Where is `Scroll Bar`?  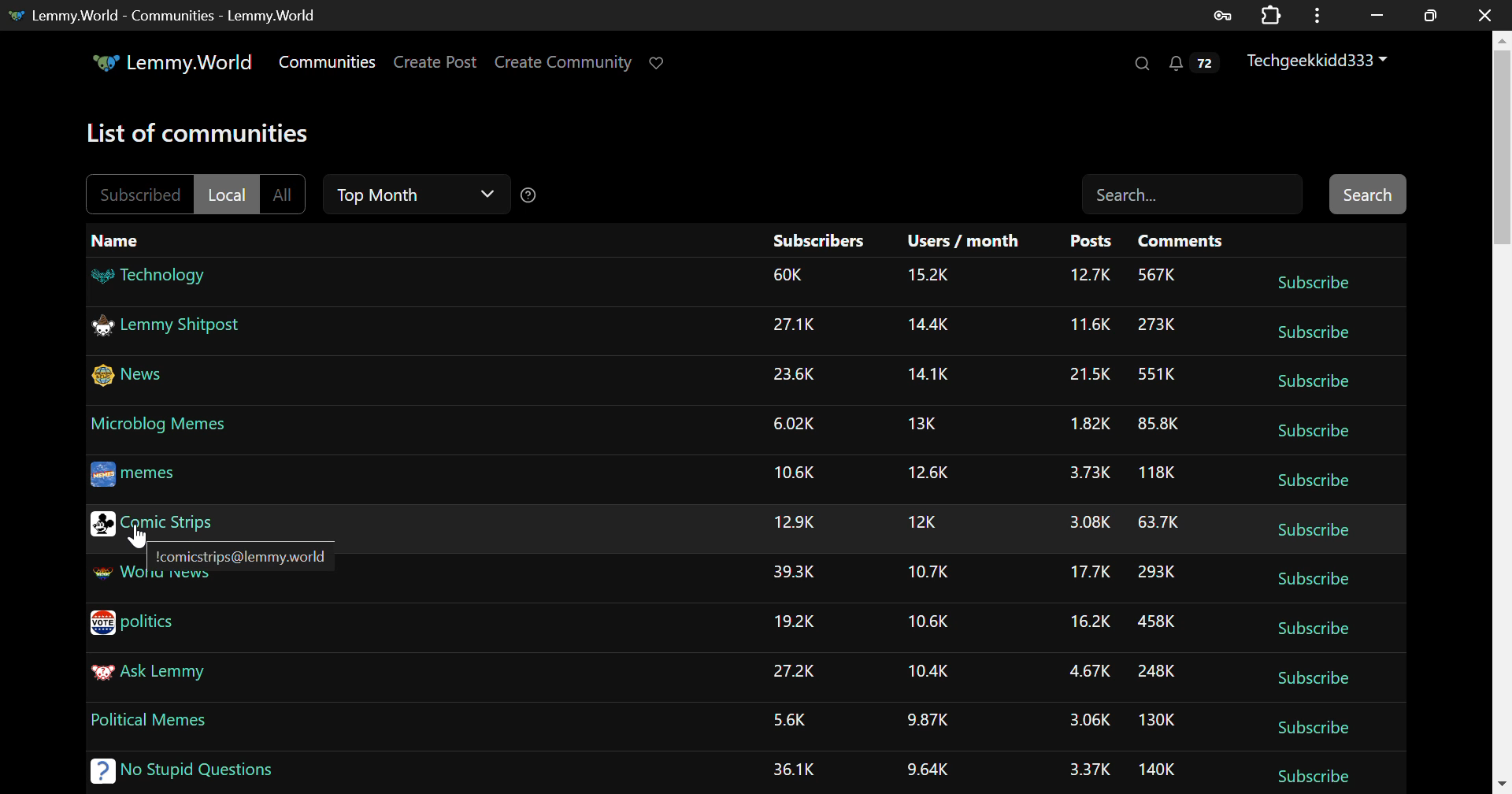 Scroll Bar is located at coordinates (1503, 409).